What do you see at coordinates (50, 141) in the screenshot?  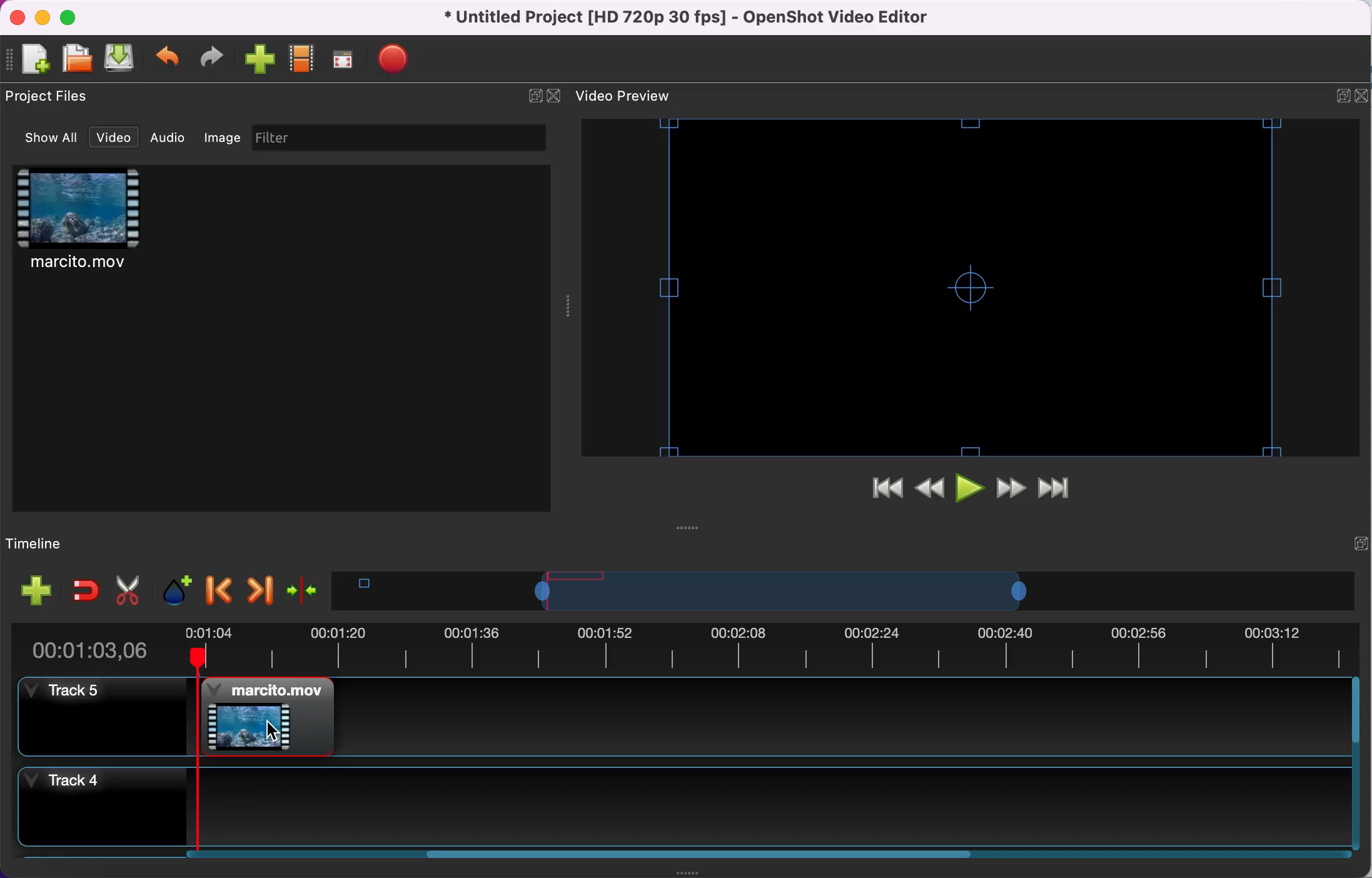 I see `show all` at bounding box center [50, 141].